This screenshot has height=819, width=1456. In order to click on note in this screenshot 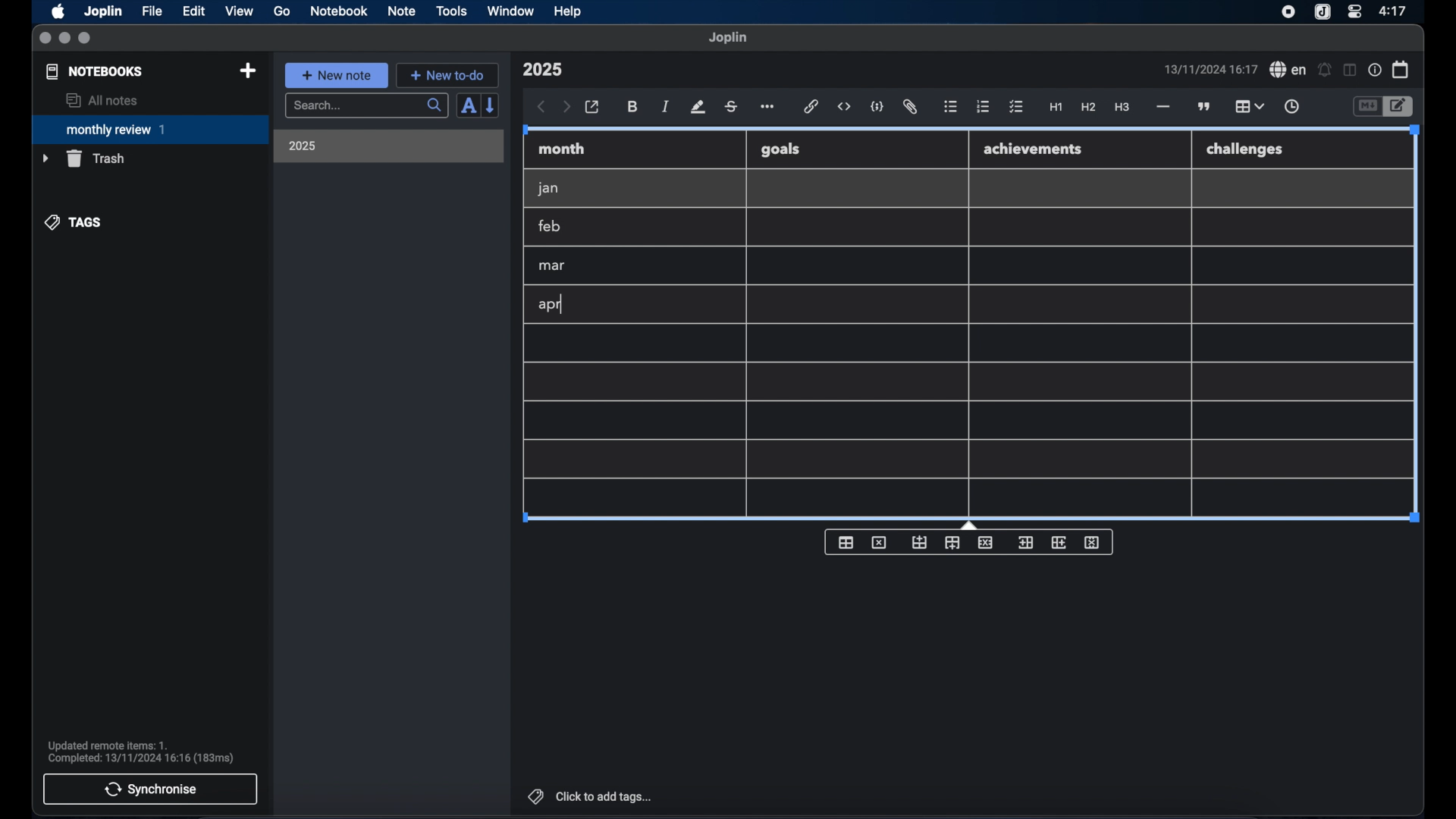, I will do `click(402, 11)`.